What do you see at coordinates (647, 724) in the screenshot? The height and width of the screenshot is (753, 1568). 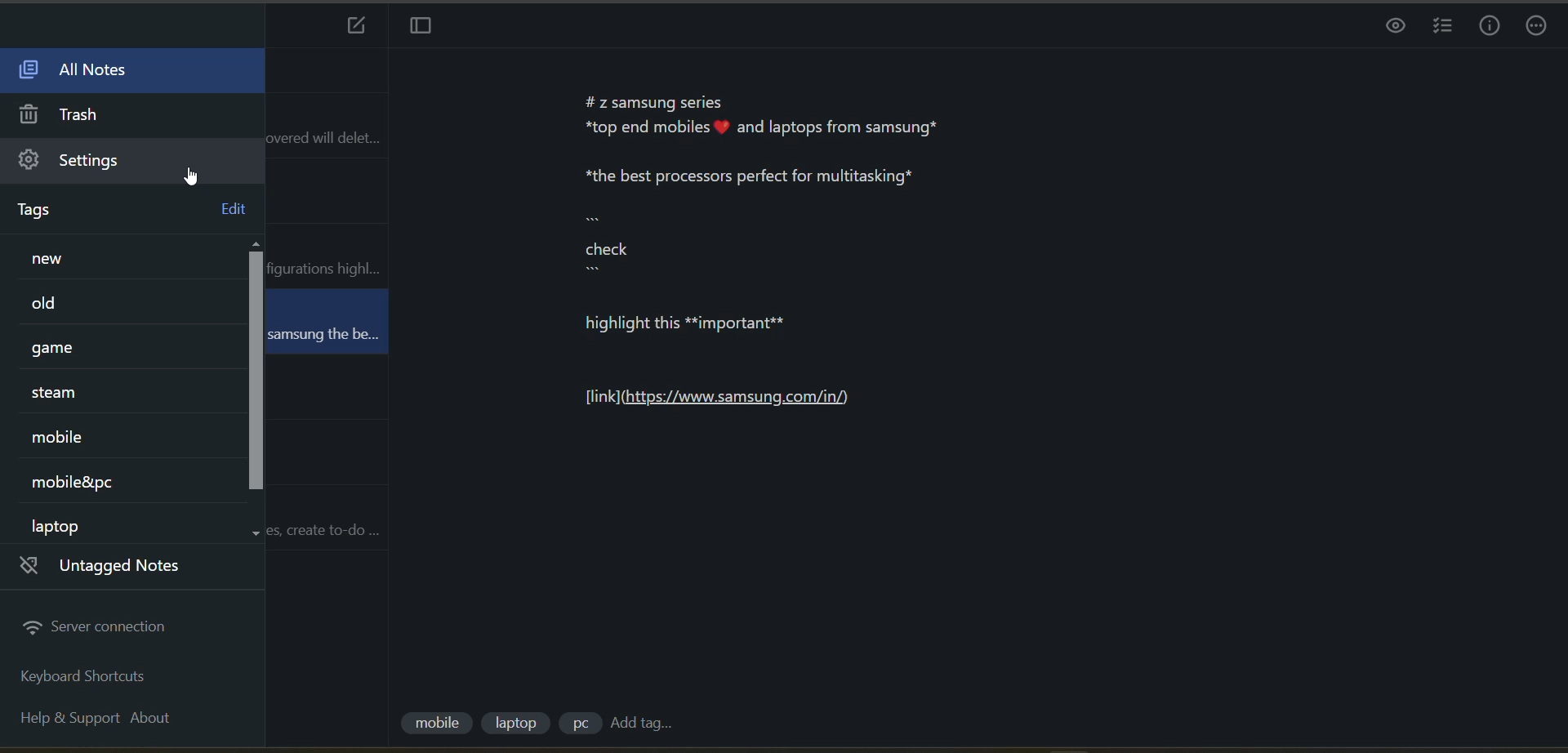 I see `add tag` at bounding box center [647, 724].